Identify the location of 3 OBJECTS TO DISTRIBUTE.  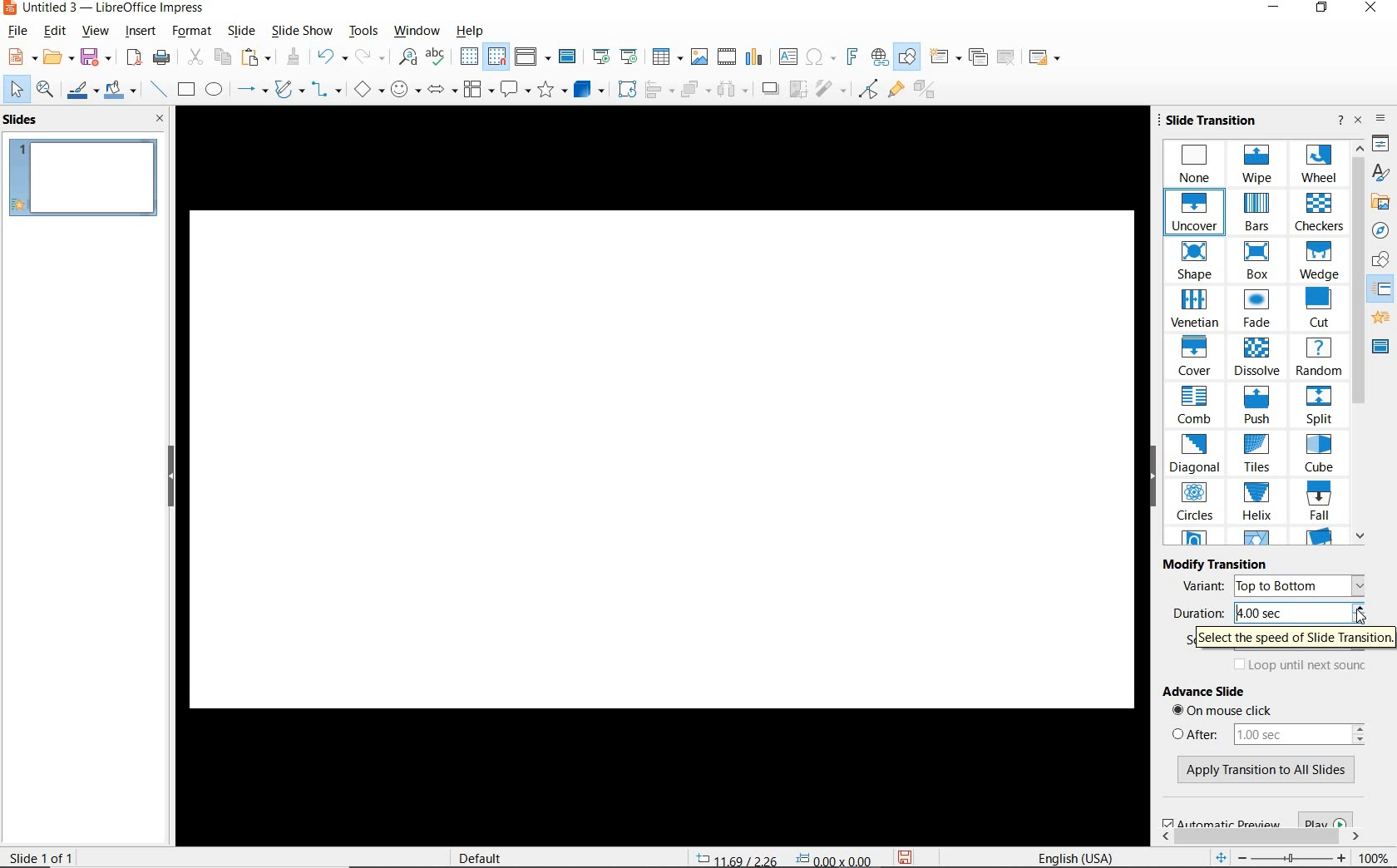
(730, 89).